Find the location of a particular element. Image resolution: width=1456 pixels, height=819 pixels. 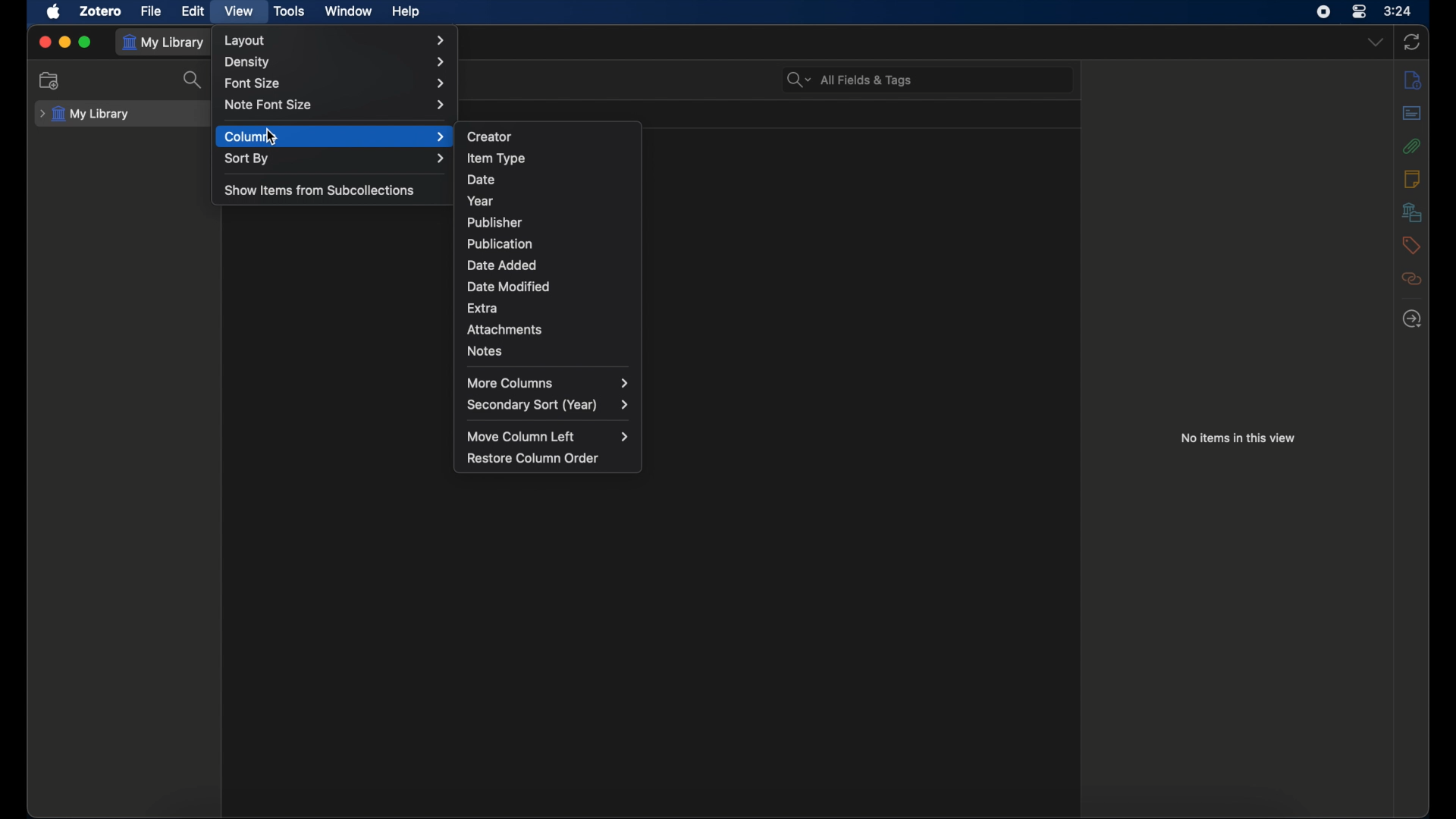

minimize is located at coordinates (65, 42).